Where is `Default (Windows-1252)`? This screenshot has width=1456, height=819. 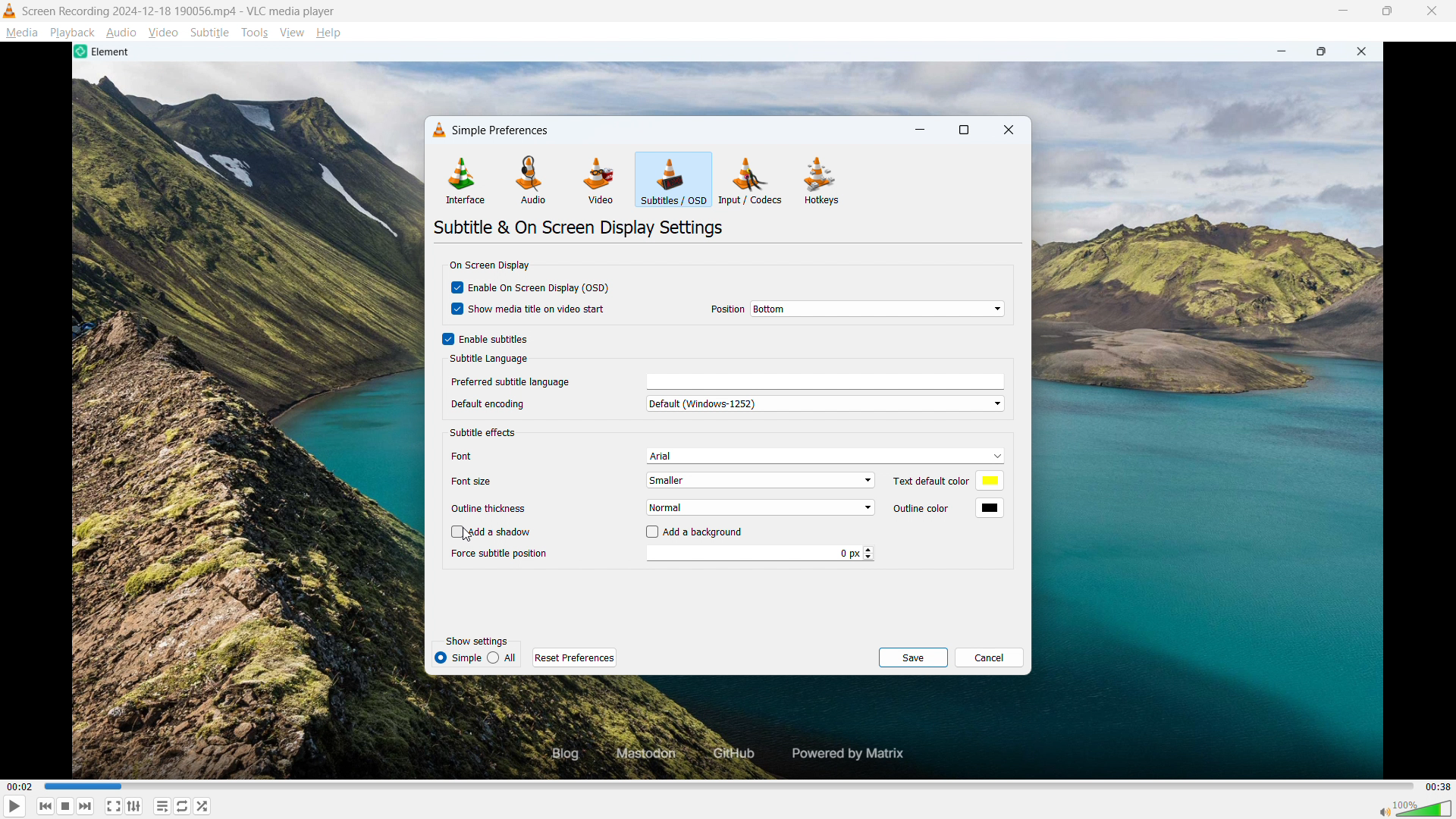 Default (Windows-1252) is located at coordinates (825, 403).